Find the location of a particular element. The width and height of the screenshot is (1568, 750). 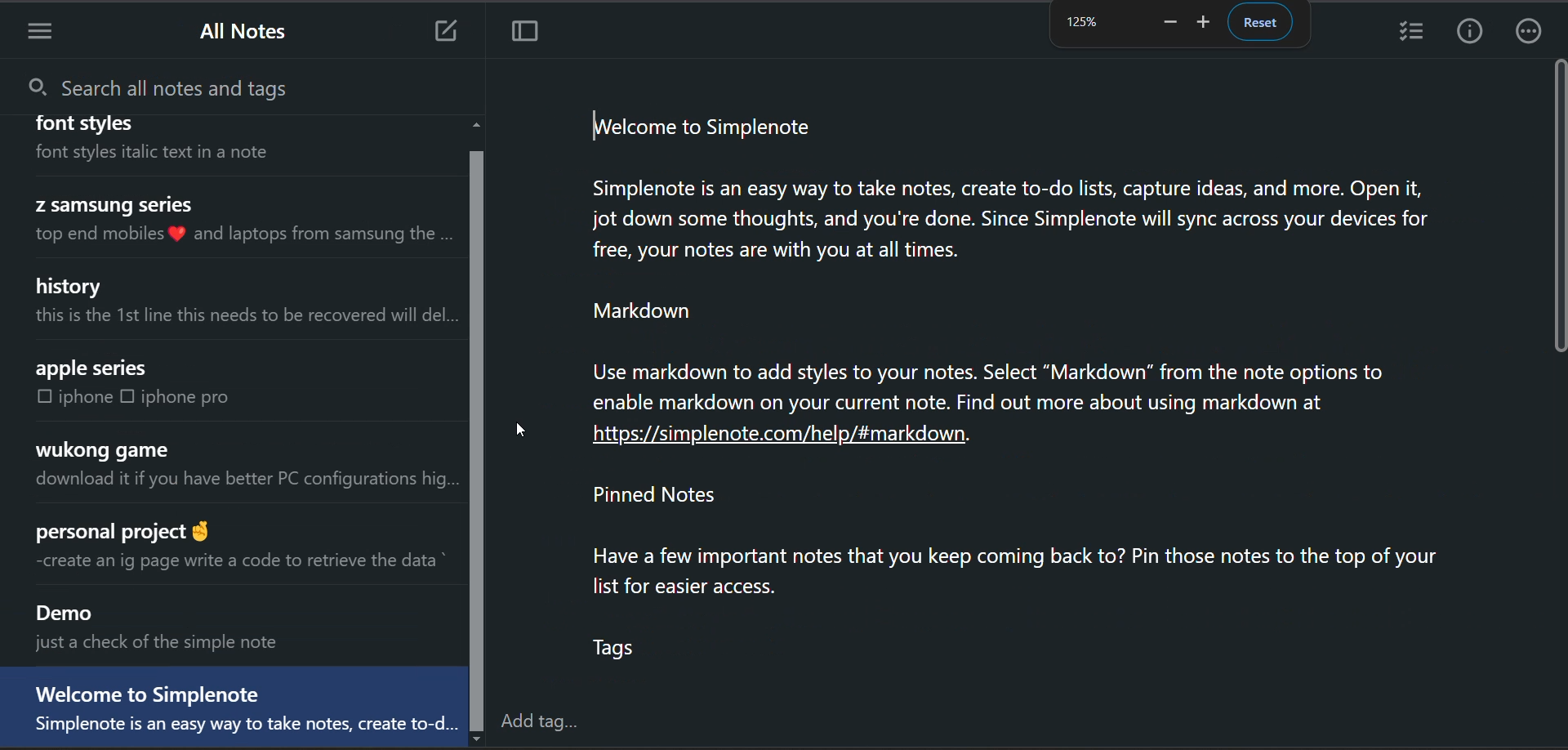

actions is located at coordinates (1533, 29).